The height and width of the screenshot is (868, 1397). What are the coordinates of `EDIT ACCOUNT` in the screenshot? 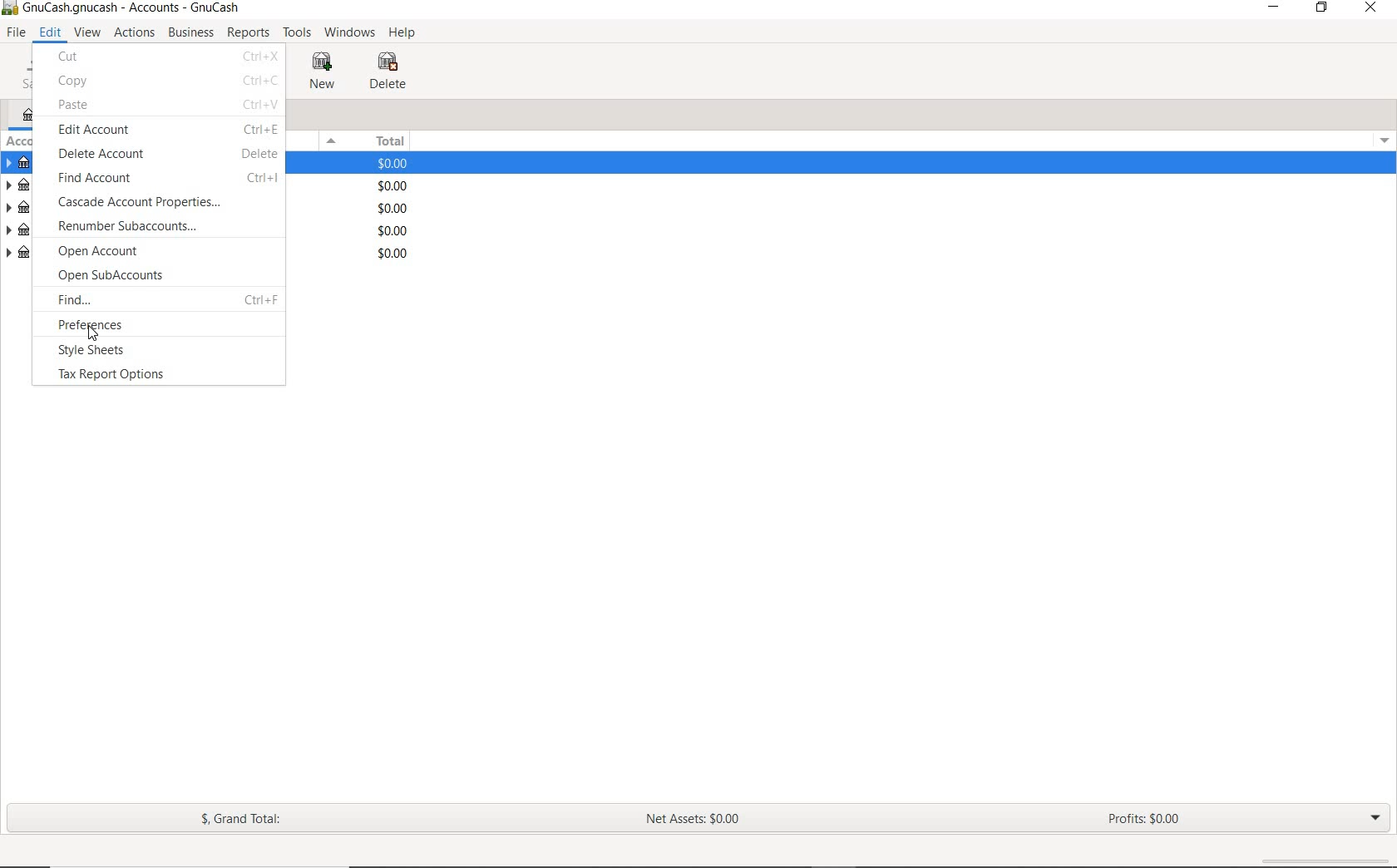 It's located at (164, 128).